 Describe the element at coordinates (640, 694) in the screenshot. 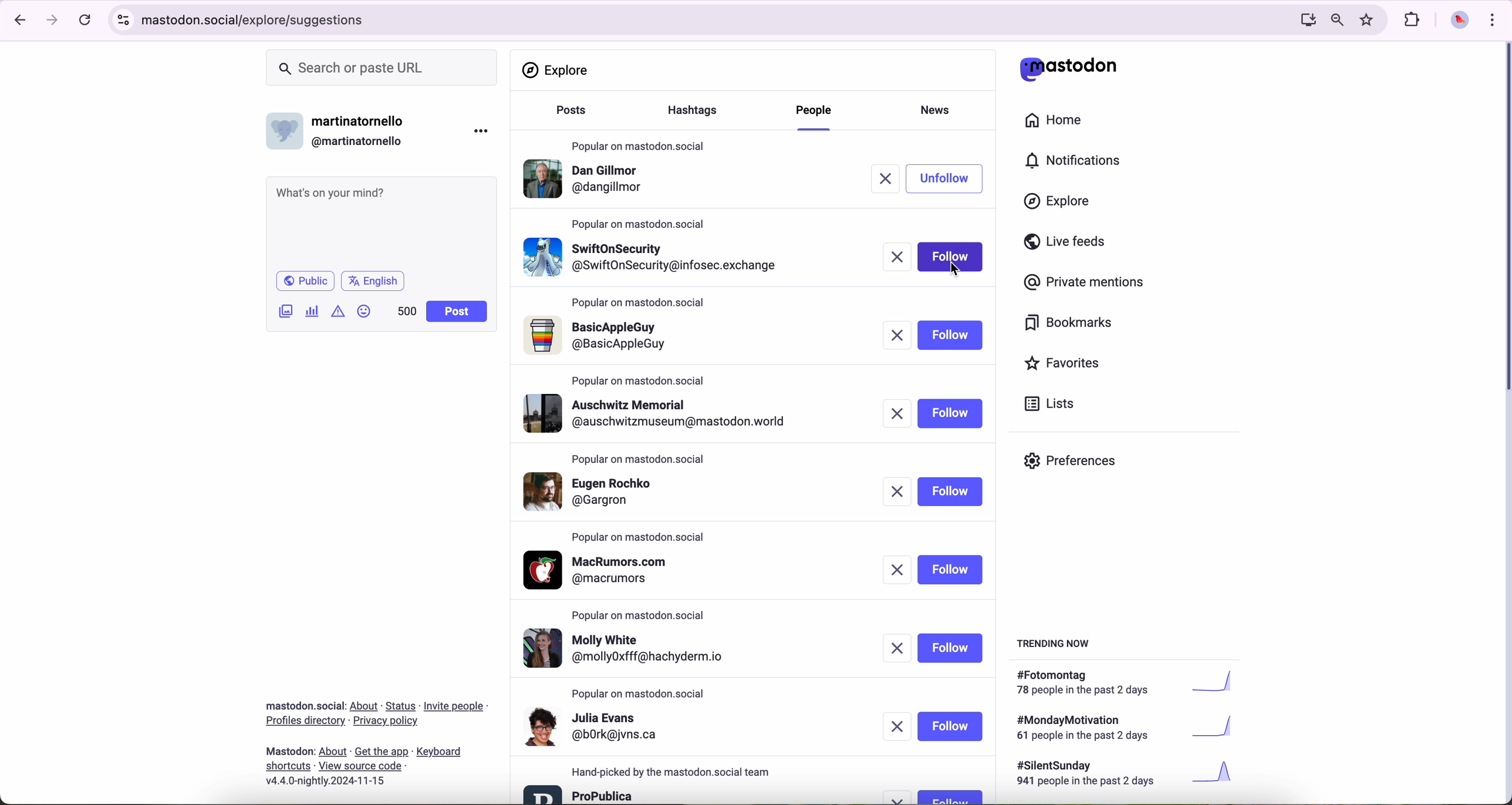

I see `popular on mastodon.social` at that location.